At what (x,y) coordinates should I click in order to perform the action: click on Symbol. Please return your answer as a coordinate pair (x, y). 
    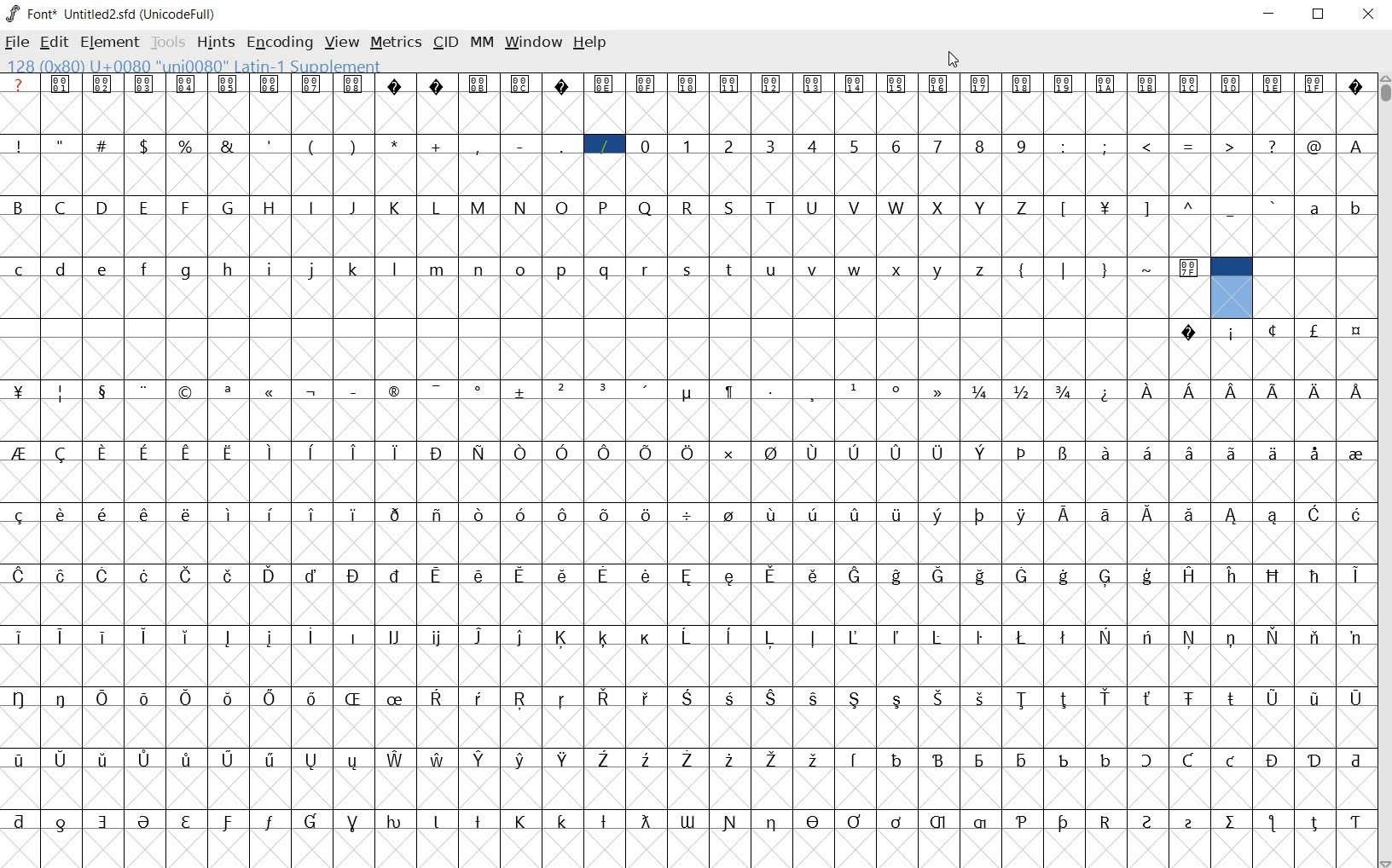
    Looking at the image, I should click on (687, 819).